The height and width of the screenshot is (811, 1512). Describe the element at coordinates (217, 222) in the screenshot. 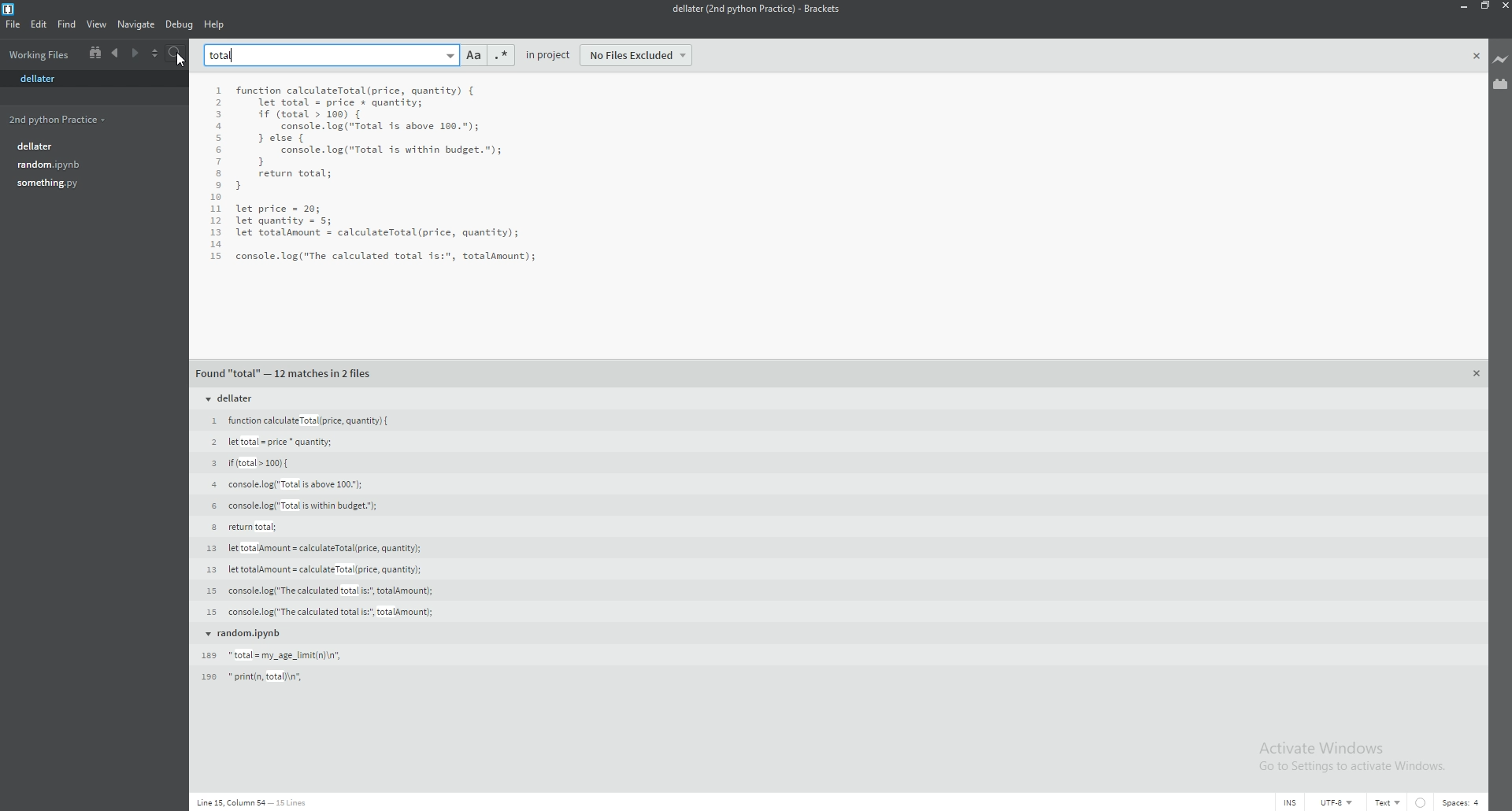

I see `12` at that location.